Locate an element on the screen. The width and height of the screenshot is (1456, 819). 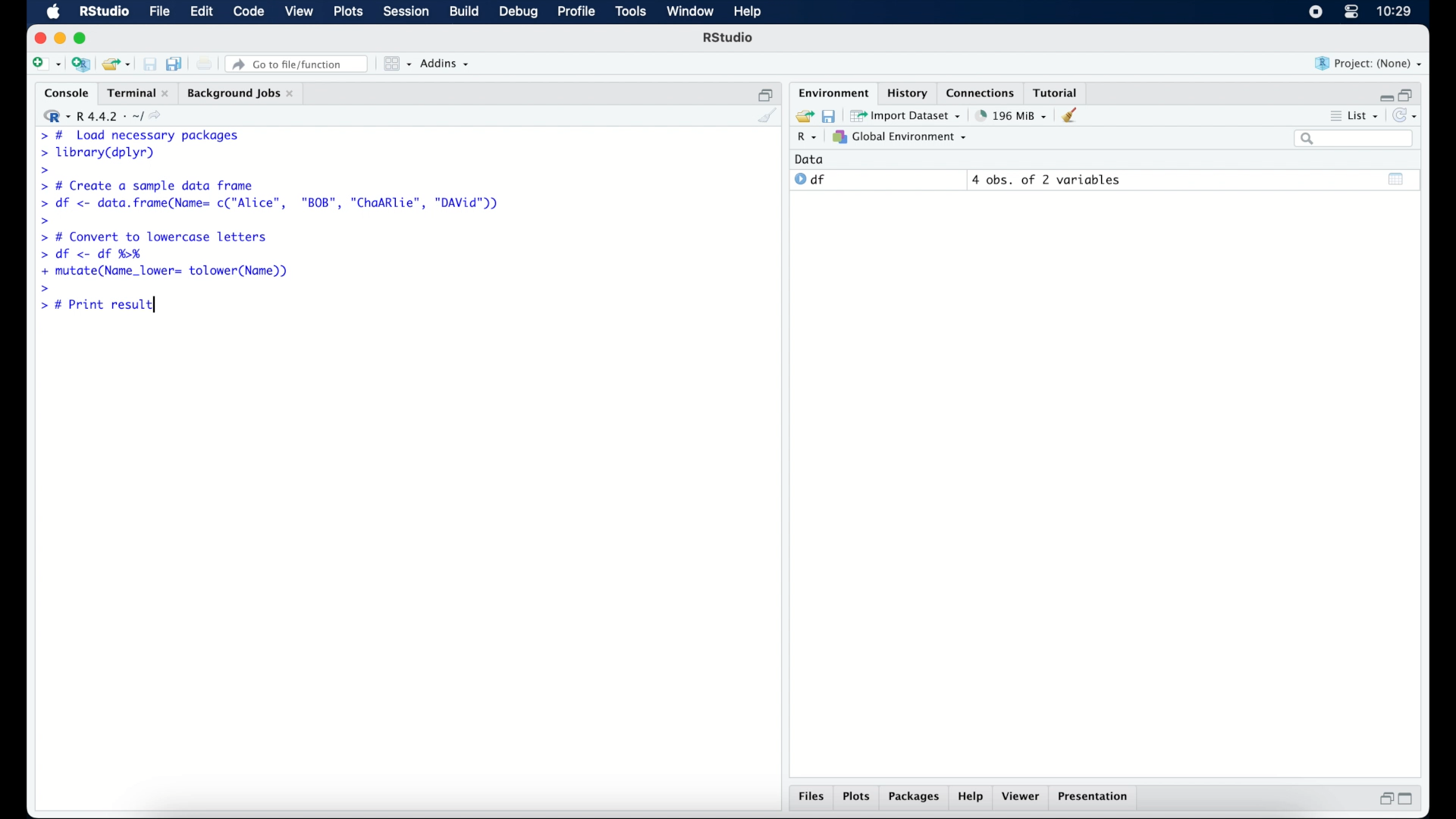
search bar is located at coordinates (1353, 140).